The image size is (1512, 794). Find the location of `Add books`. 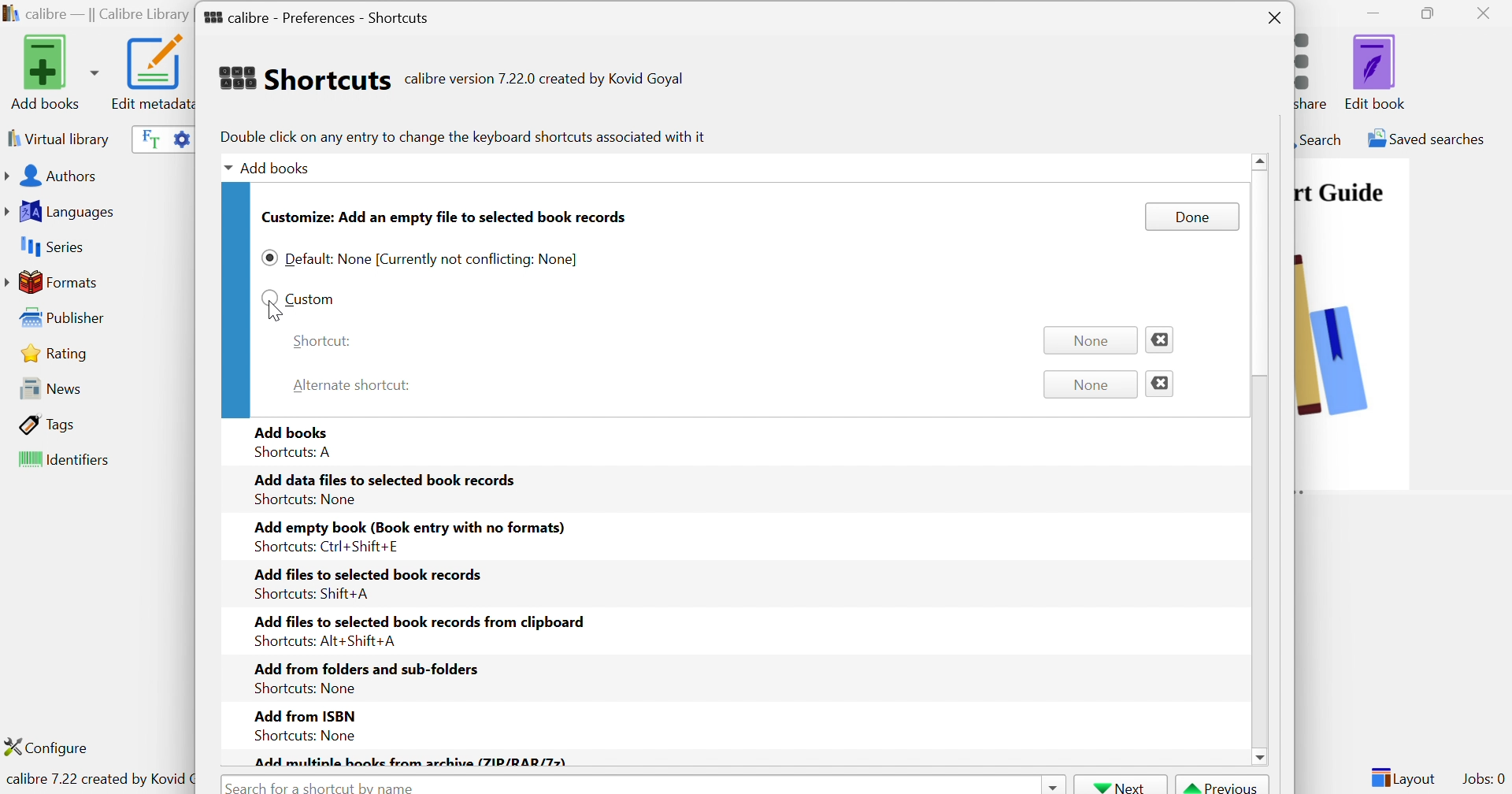

Add books is located at coordinates (279, 166).